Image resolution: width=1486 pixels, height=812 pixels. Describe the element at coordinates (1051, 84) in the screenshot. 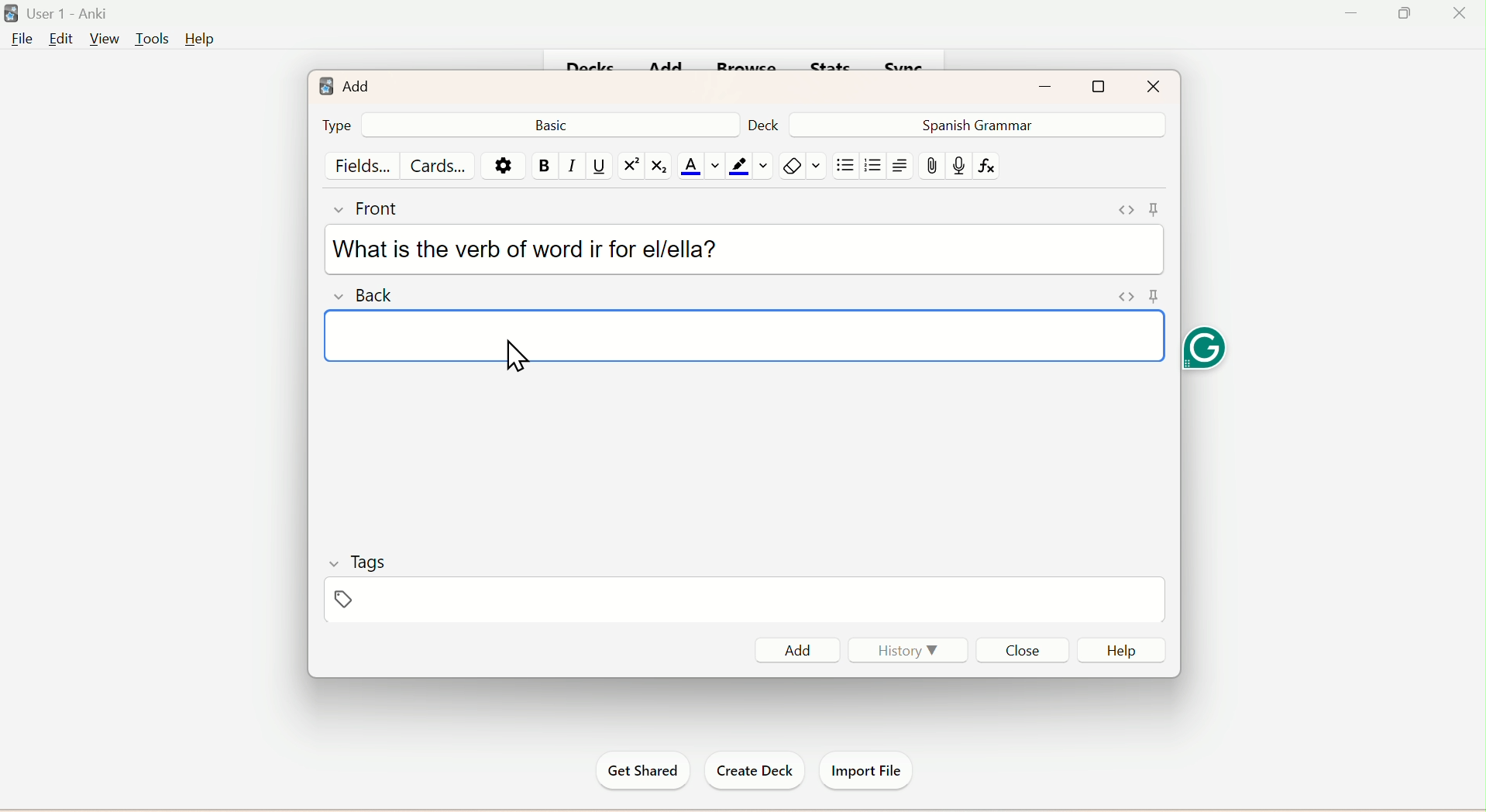

I see `Minimize` at that location.